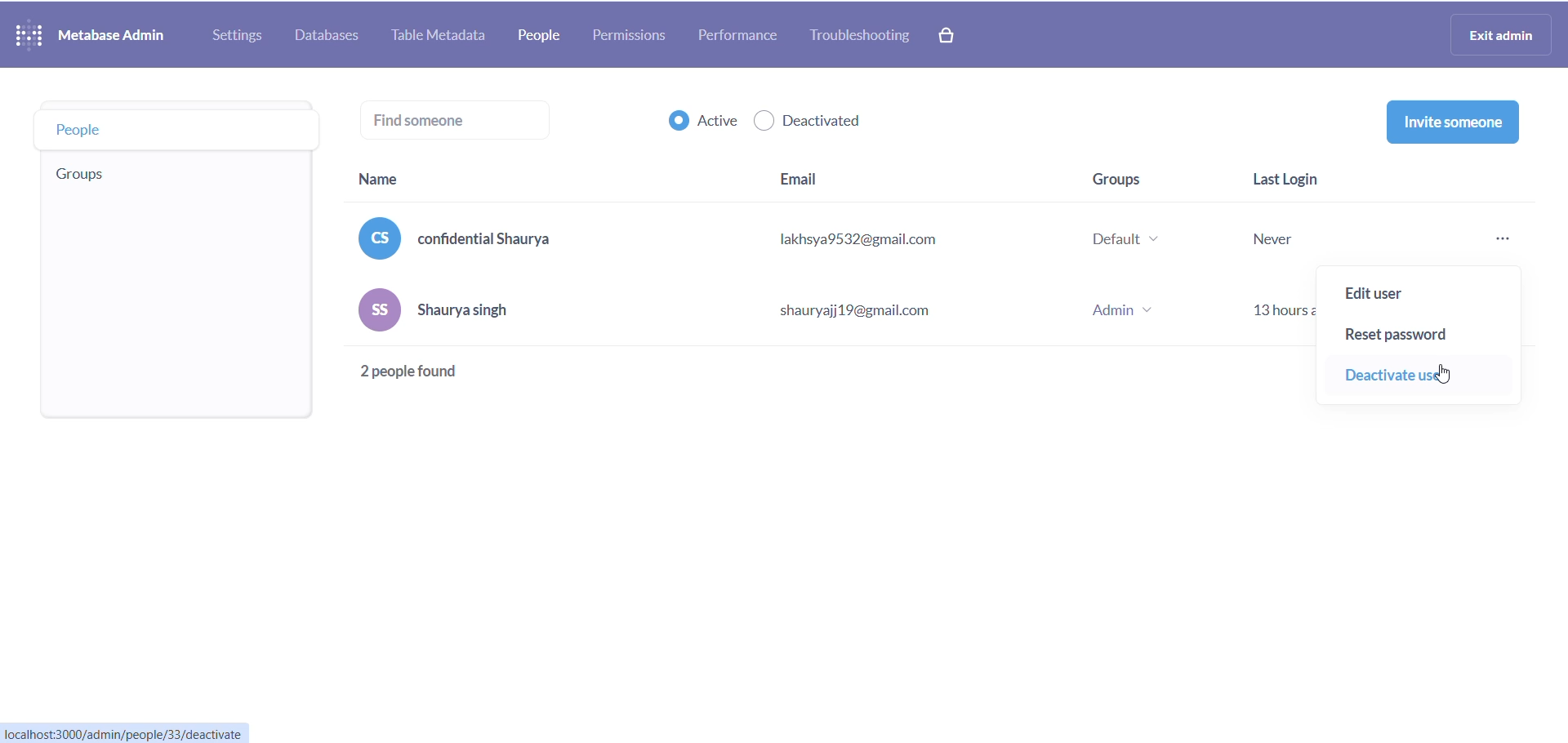 This screenshot has width=1568, height=743. Describe the element at coordinates (1405, 295) in the screenshot. I see `edit user` at that location.